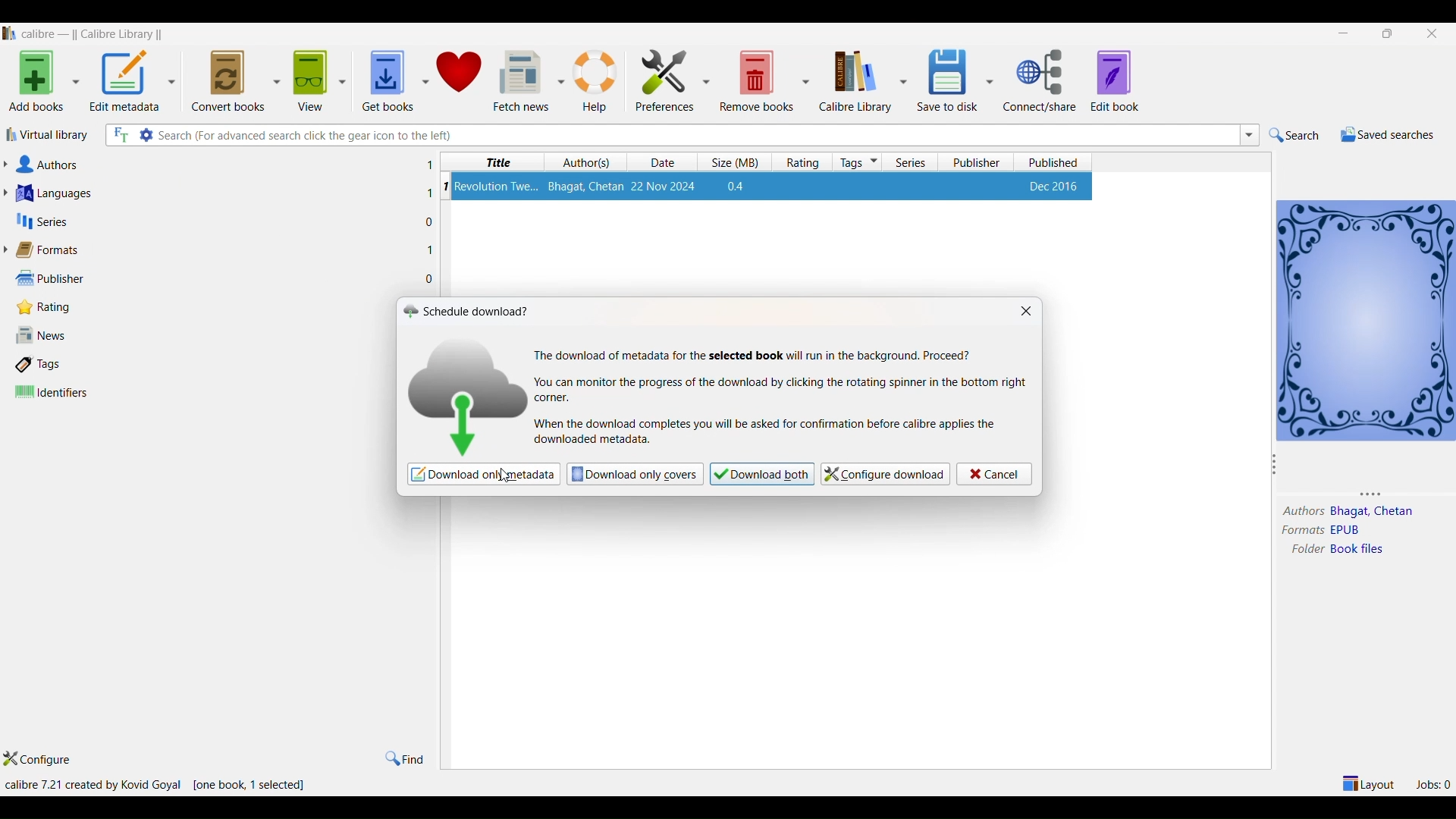 Image resolution: width=1456 pixels, height=819 pixels. What do you see at coordinates (310, 76) in the screenshot?
I see `view` at bounding box center [310, 76].